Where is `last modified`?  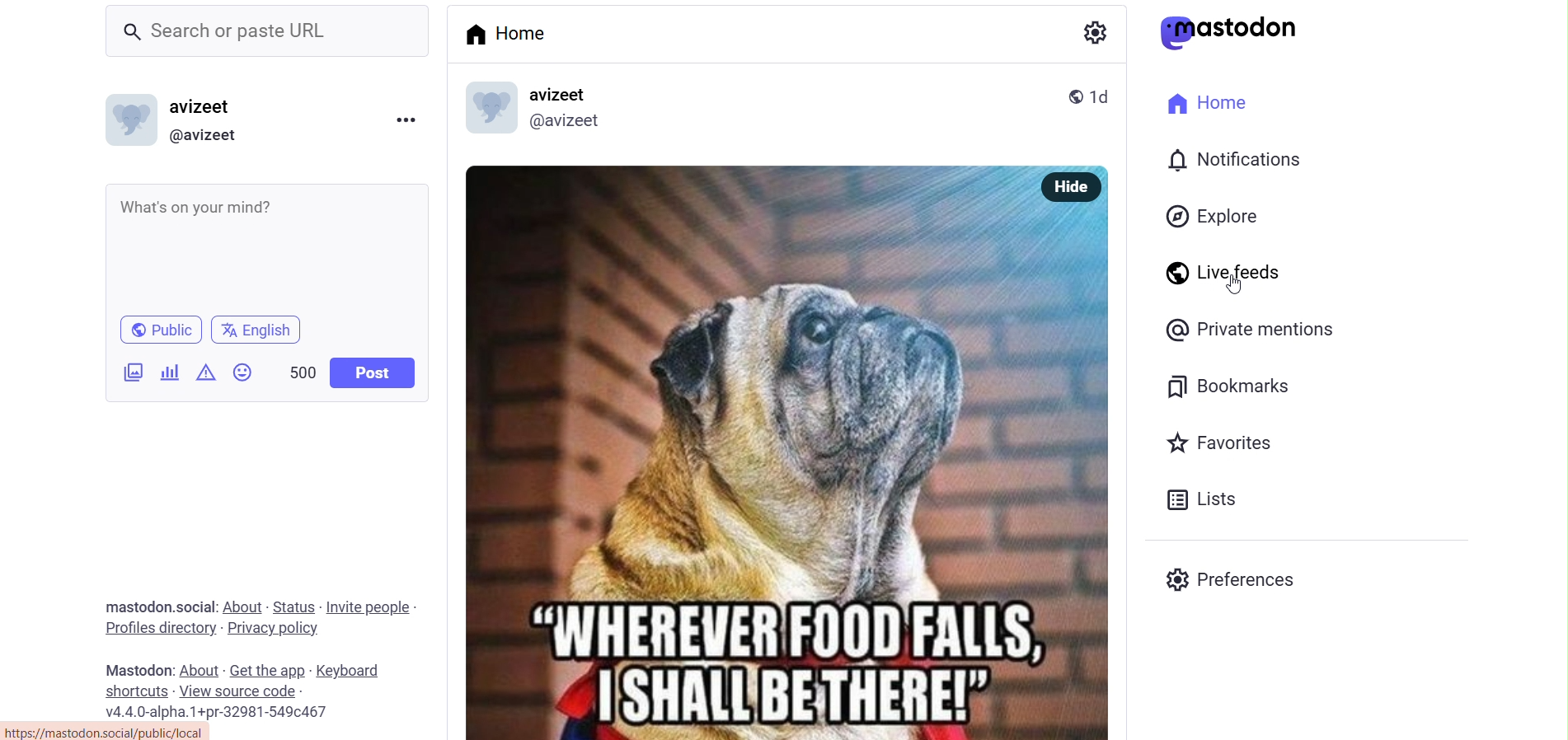 last modified is located at coordinates (1102, 97).